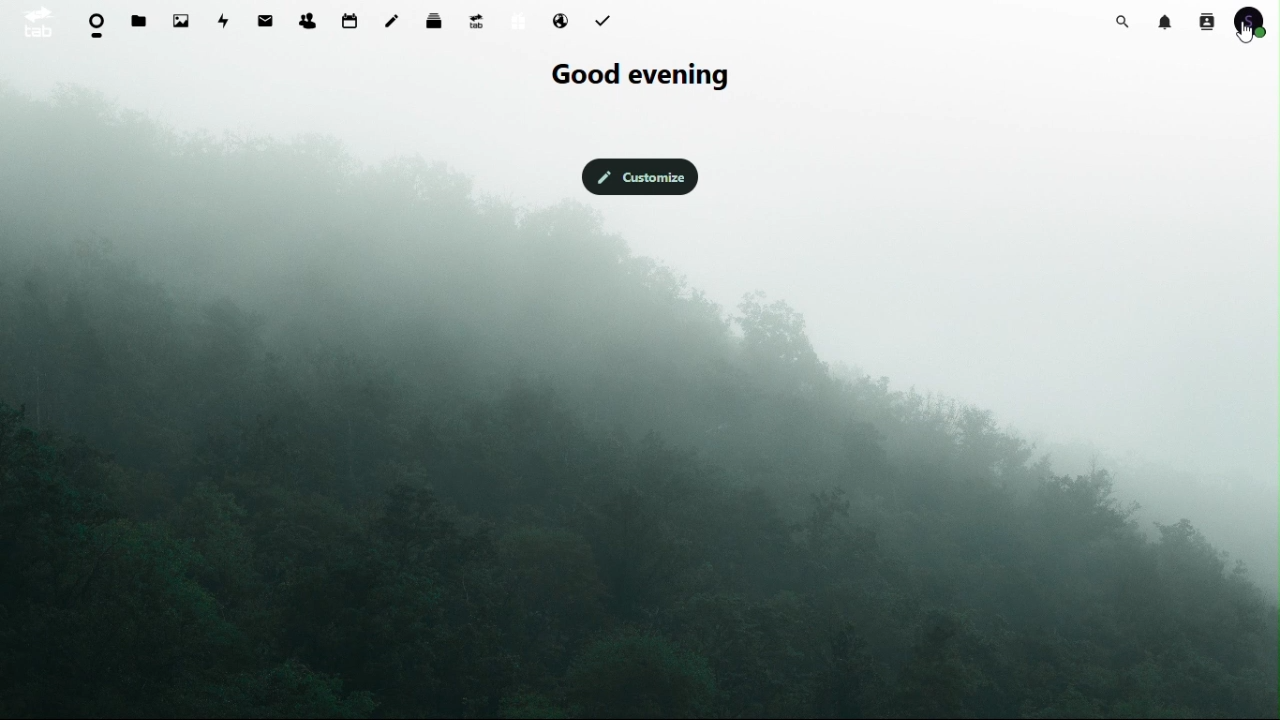  What do you see at coordinates (350, 20) in the screenshot?
I see `Calendar` at bounding box center [350, 20].